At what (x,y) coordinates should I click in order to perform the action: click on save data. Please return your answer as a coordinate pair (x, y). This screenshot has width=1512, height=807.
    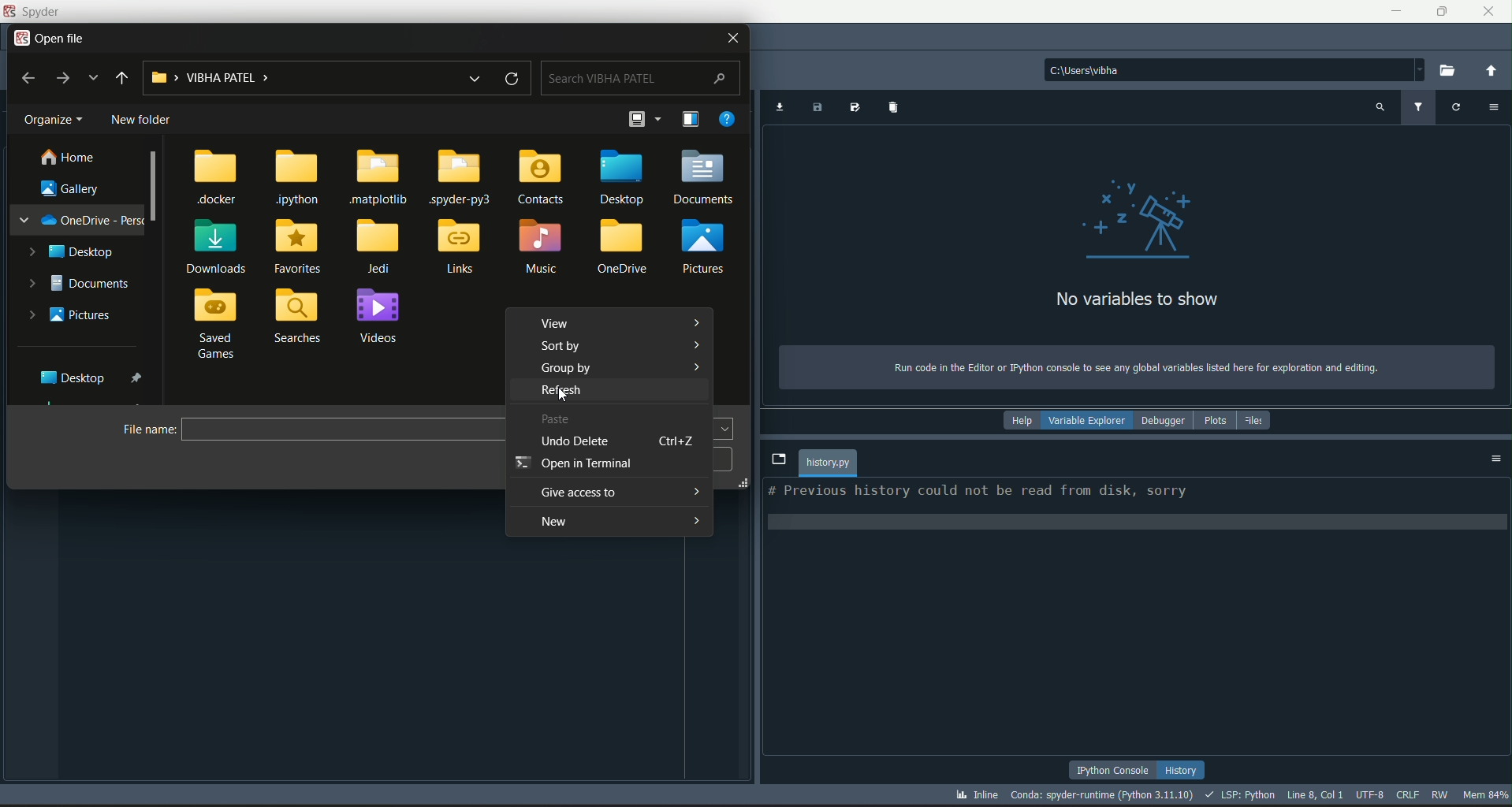
    Looking at the image, I should click on (818, 109).